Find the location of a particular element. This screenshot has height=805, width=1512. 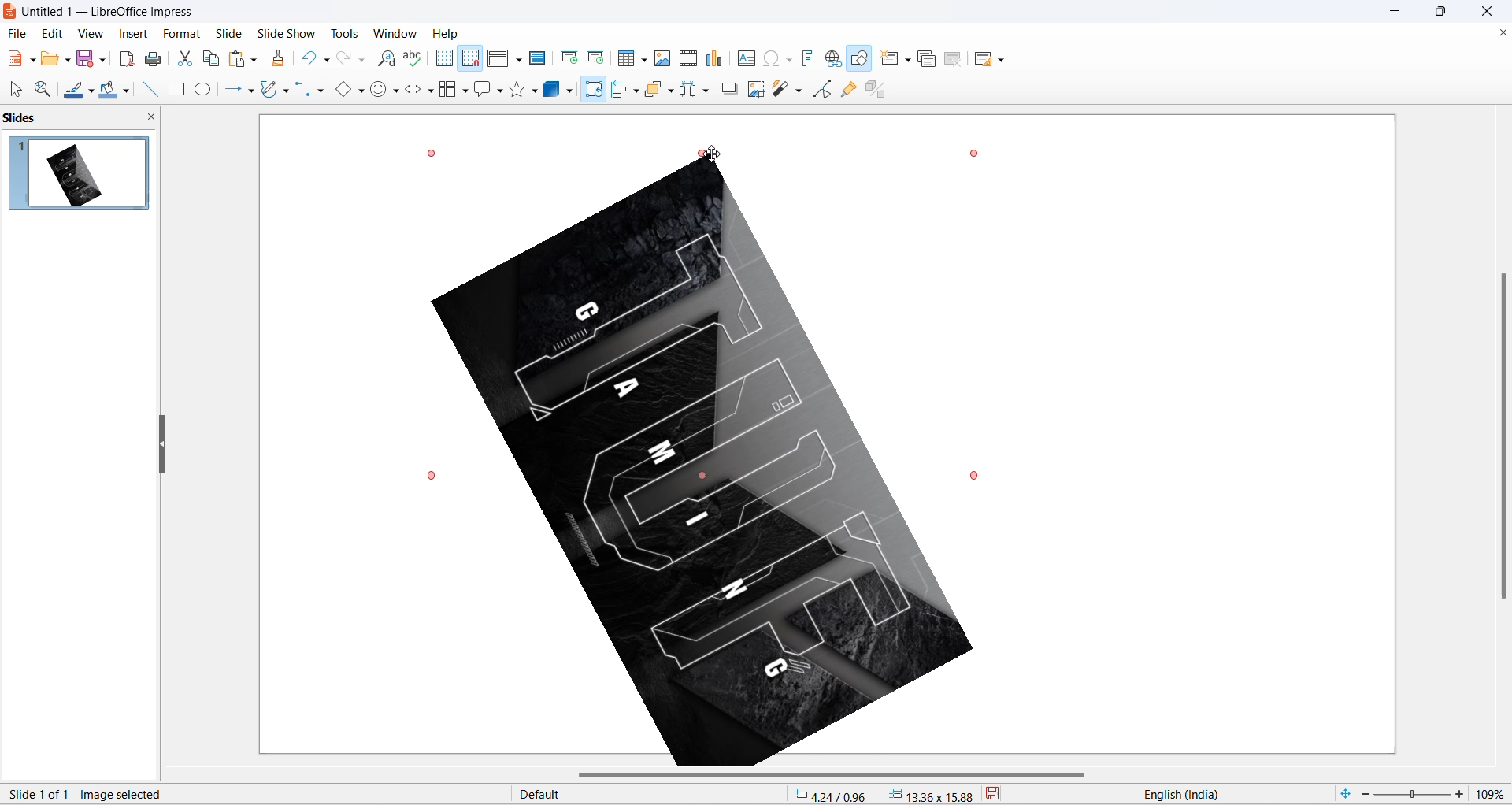

close document is located at coordinates (1501, 33).